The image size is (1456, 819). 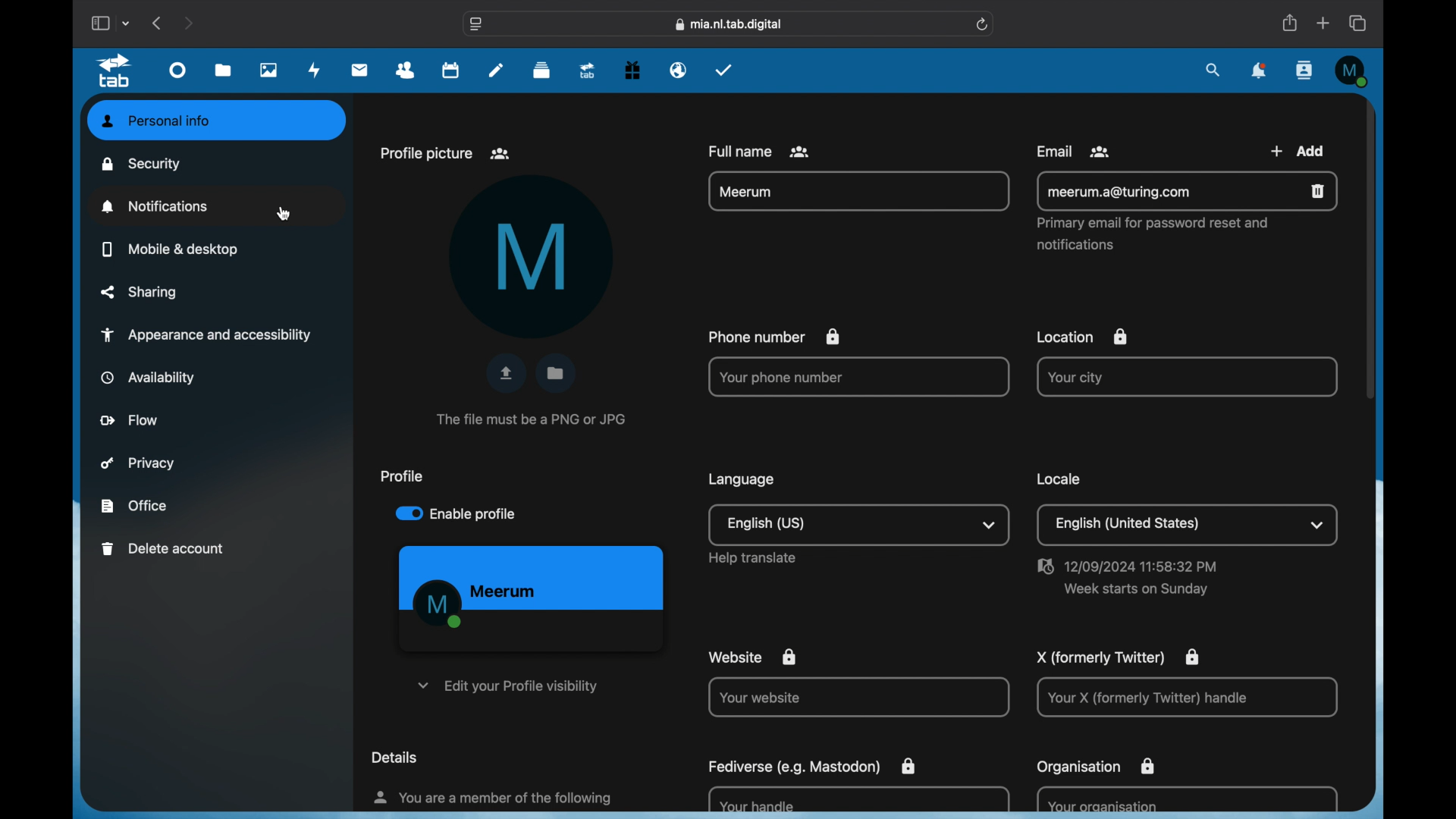 I want to click on new tab, so click(x=1323, y=23).